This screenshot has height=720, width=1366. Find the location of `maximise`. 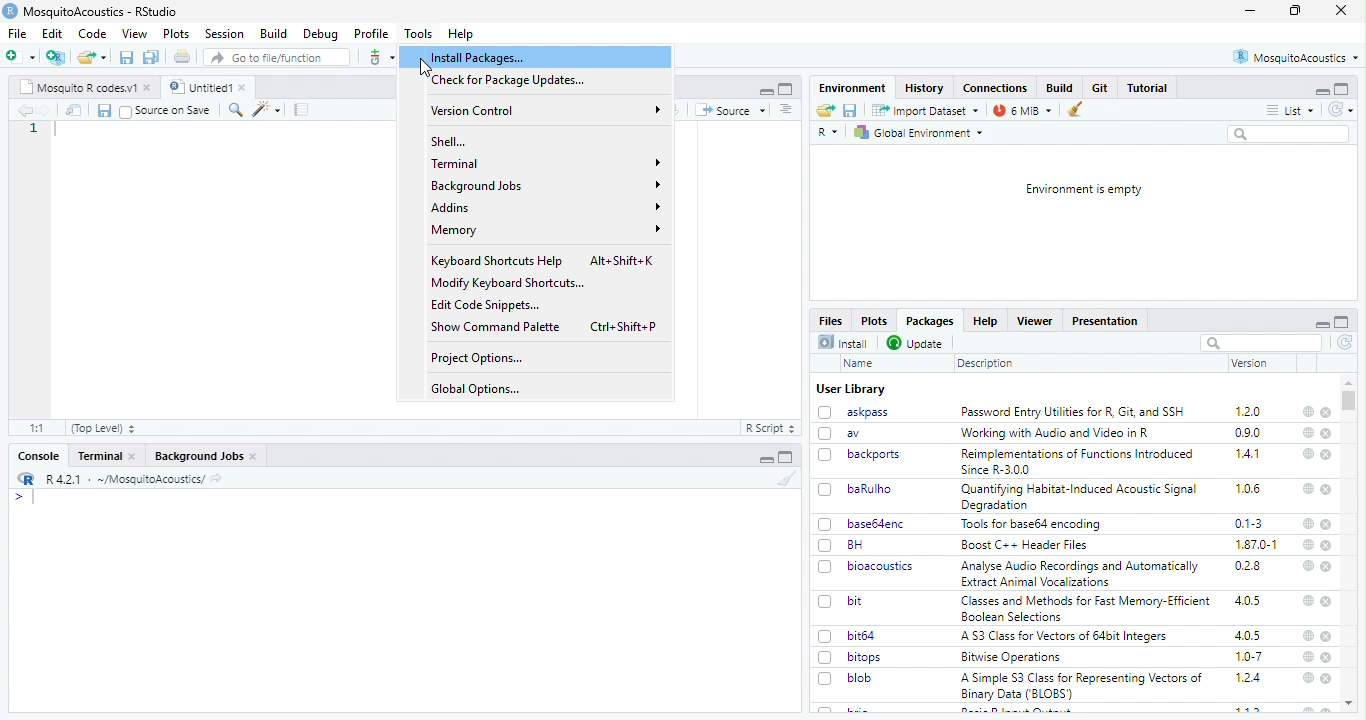

maximise is located at coordinates (1295, 10).